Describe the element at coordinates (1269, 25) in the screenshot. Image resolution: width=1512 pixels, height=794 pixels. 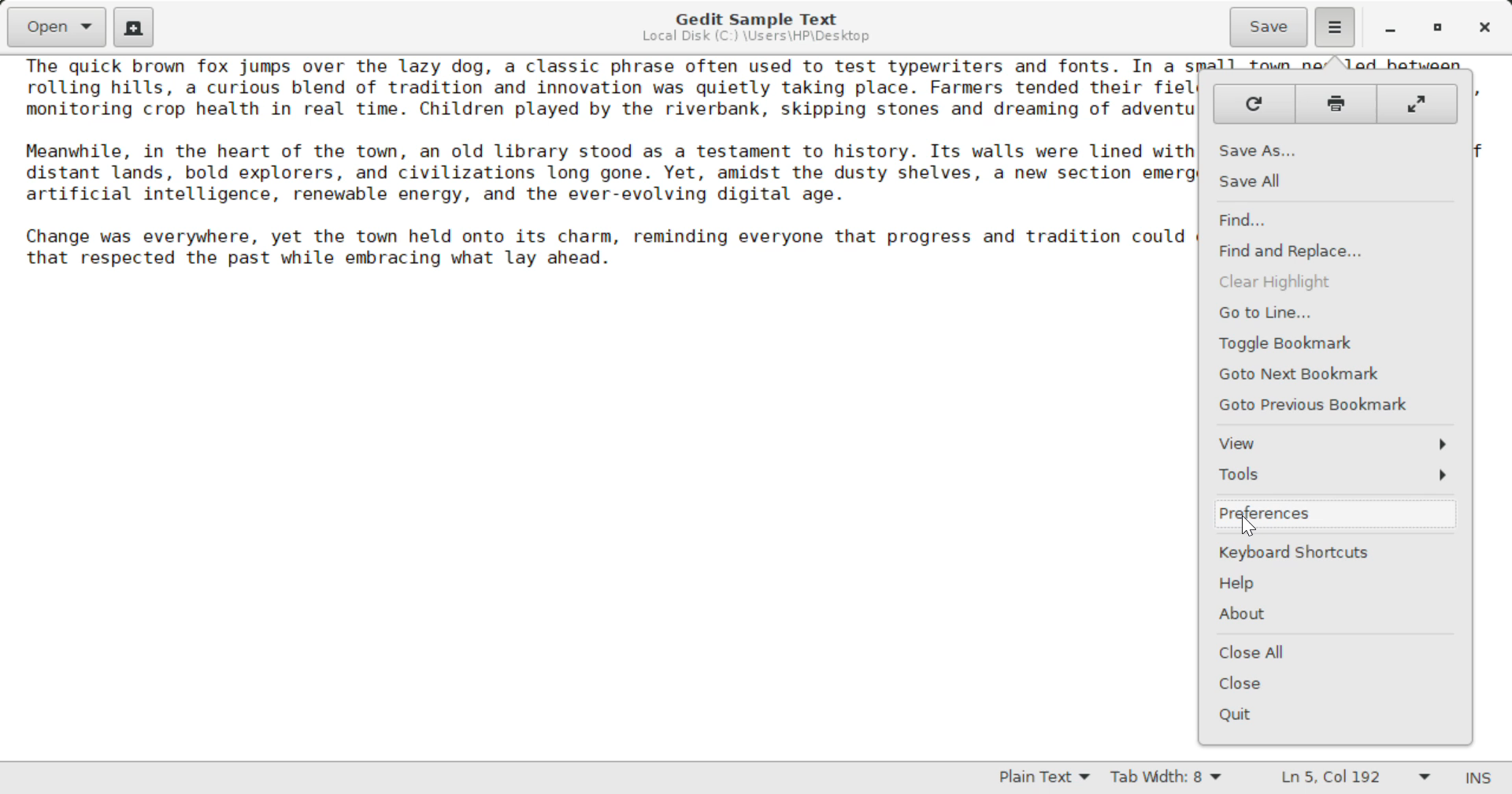
I see `Save` at that location.